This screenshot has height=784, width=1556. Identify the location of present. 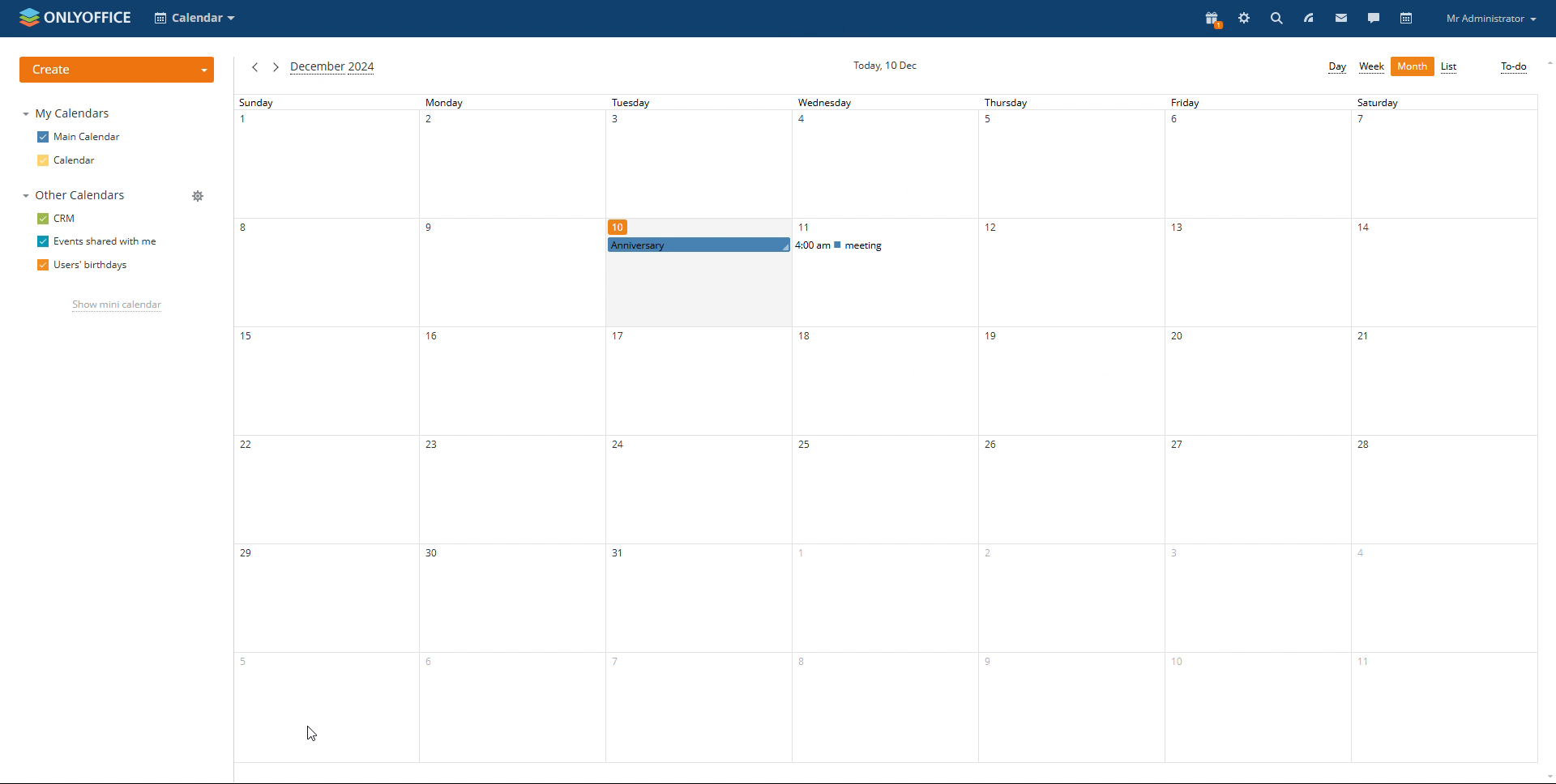
(1211, 19).